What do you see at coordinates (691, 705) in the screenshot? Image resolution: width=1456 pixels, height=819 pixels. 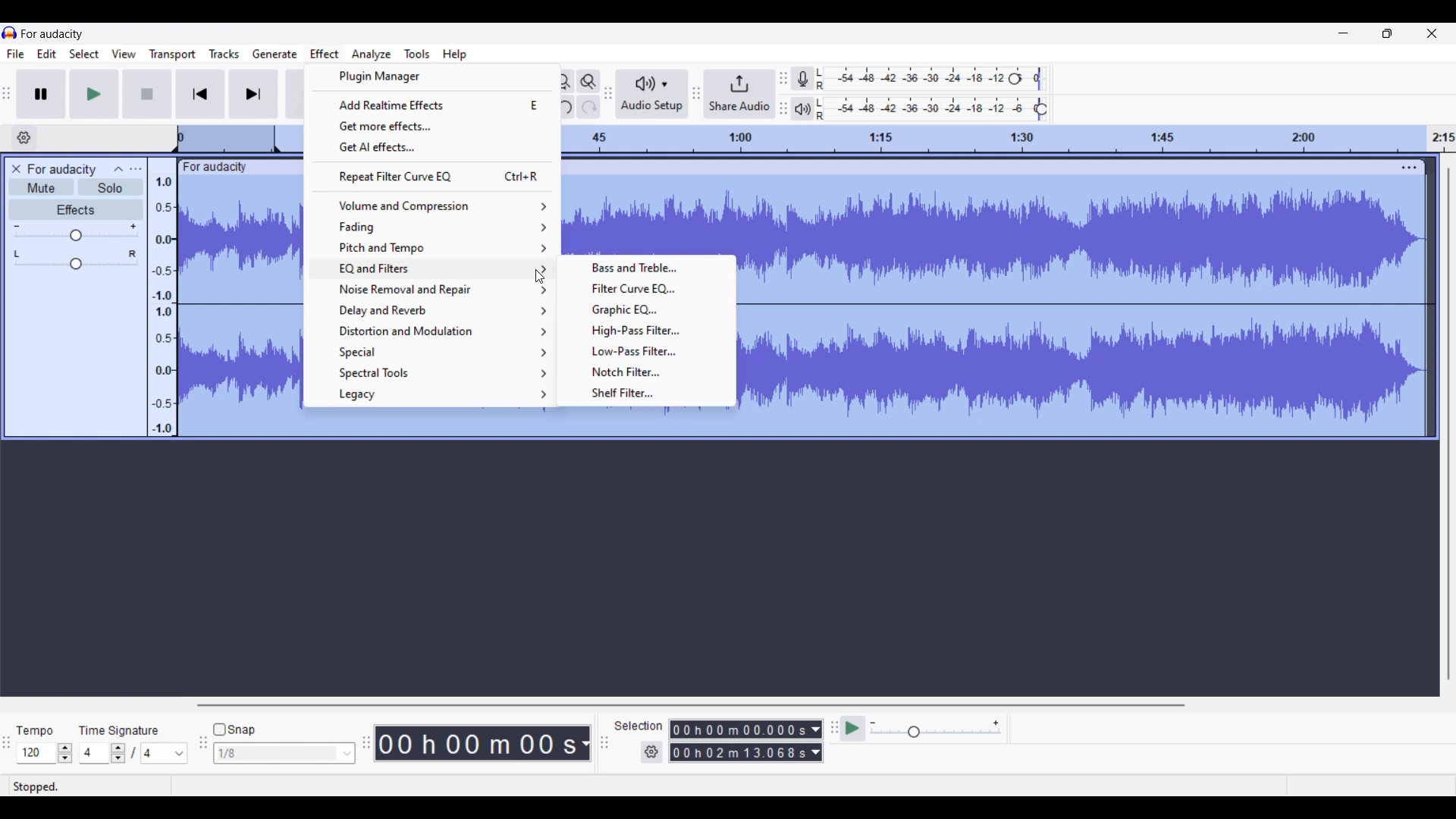 I see `Horizontal slide bar` at bounding box center [691, 705].